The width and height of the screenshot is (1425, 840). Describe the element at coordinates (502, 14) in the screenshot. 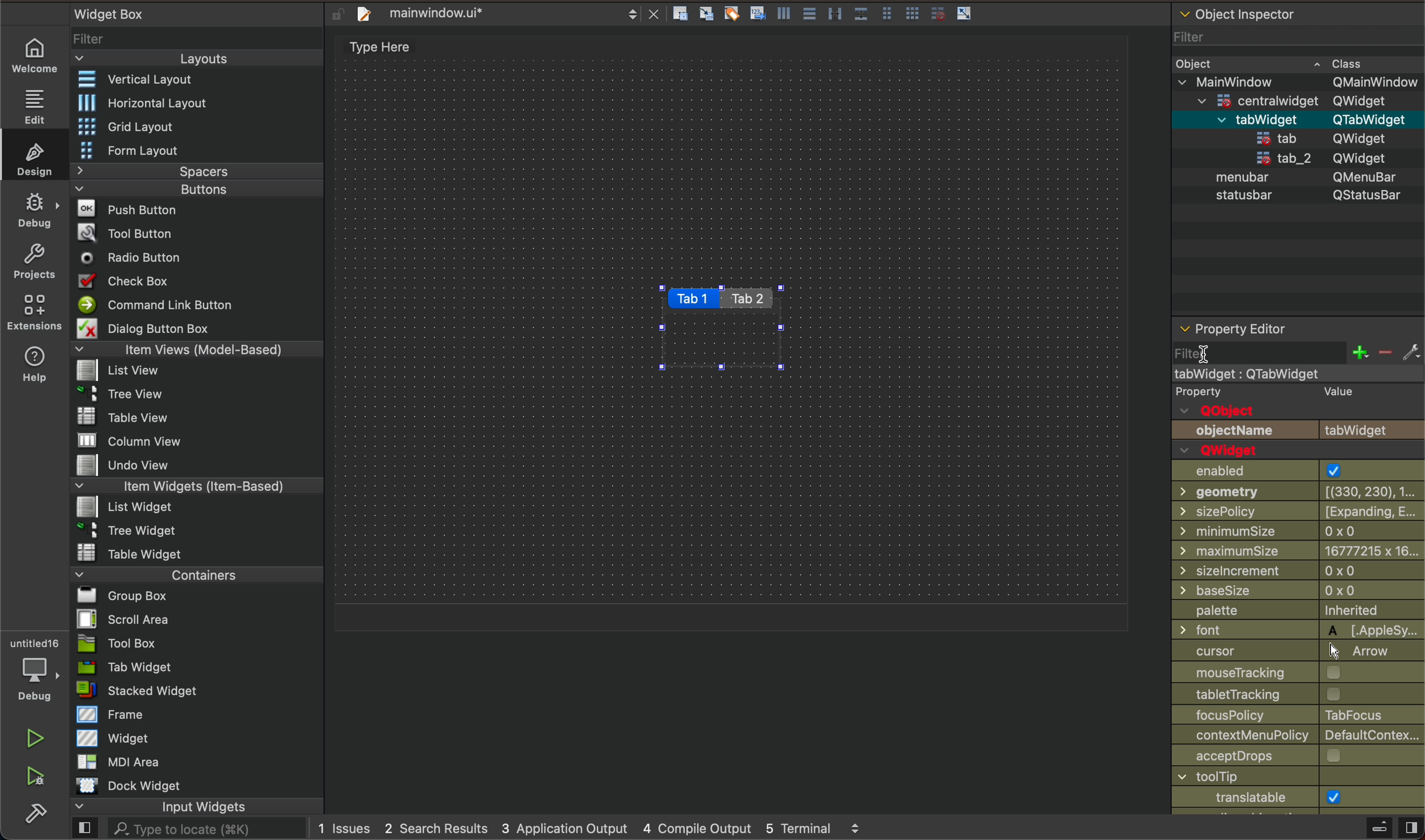

I see `file tab` at that location.